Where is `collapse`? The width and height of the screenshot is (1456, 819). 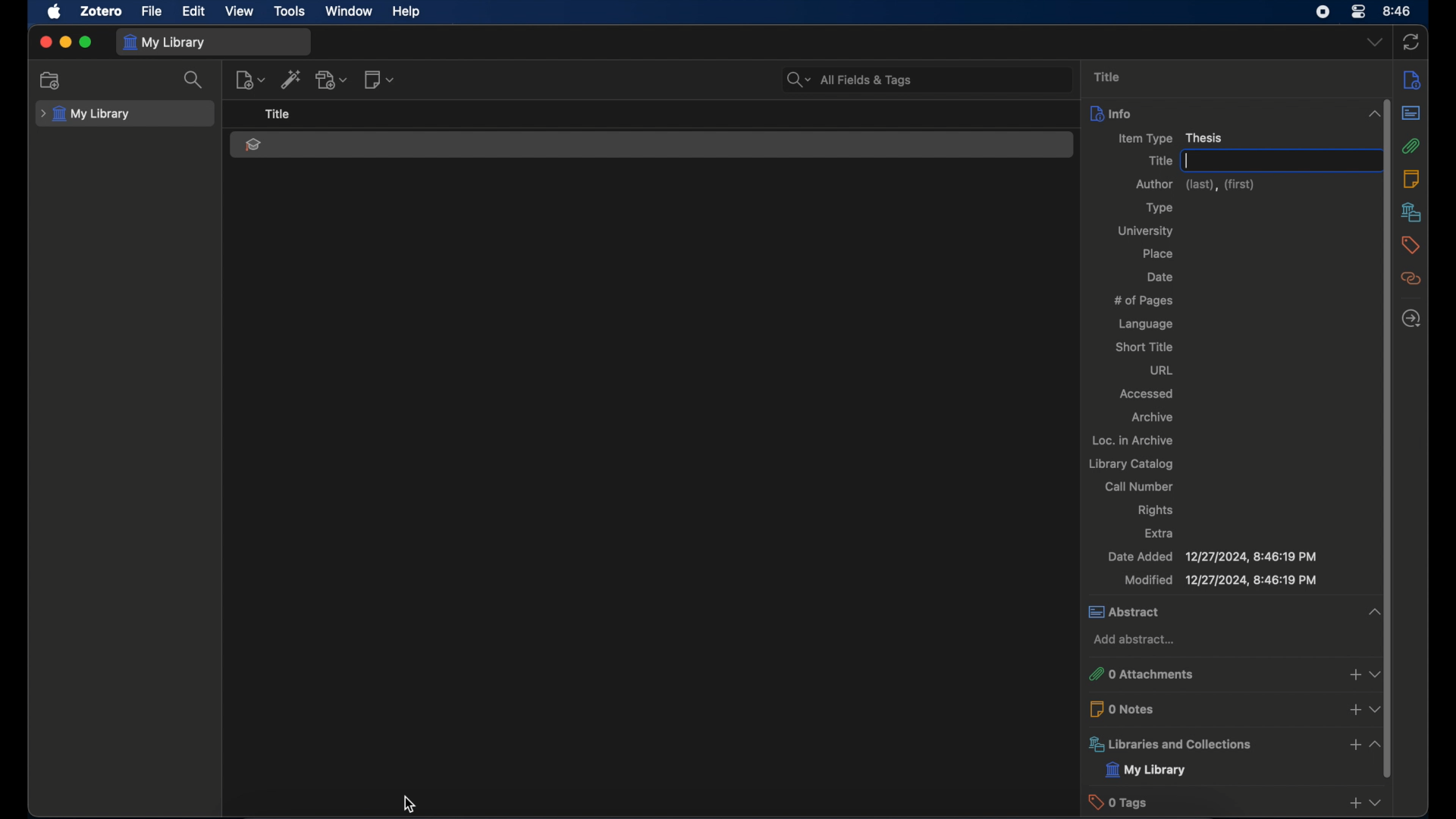 collapse is located at coordinates (1376, 743).